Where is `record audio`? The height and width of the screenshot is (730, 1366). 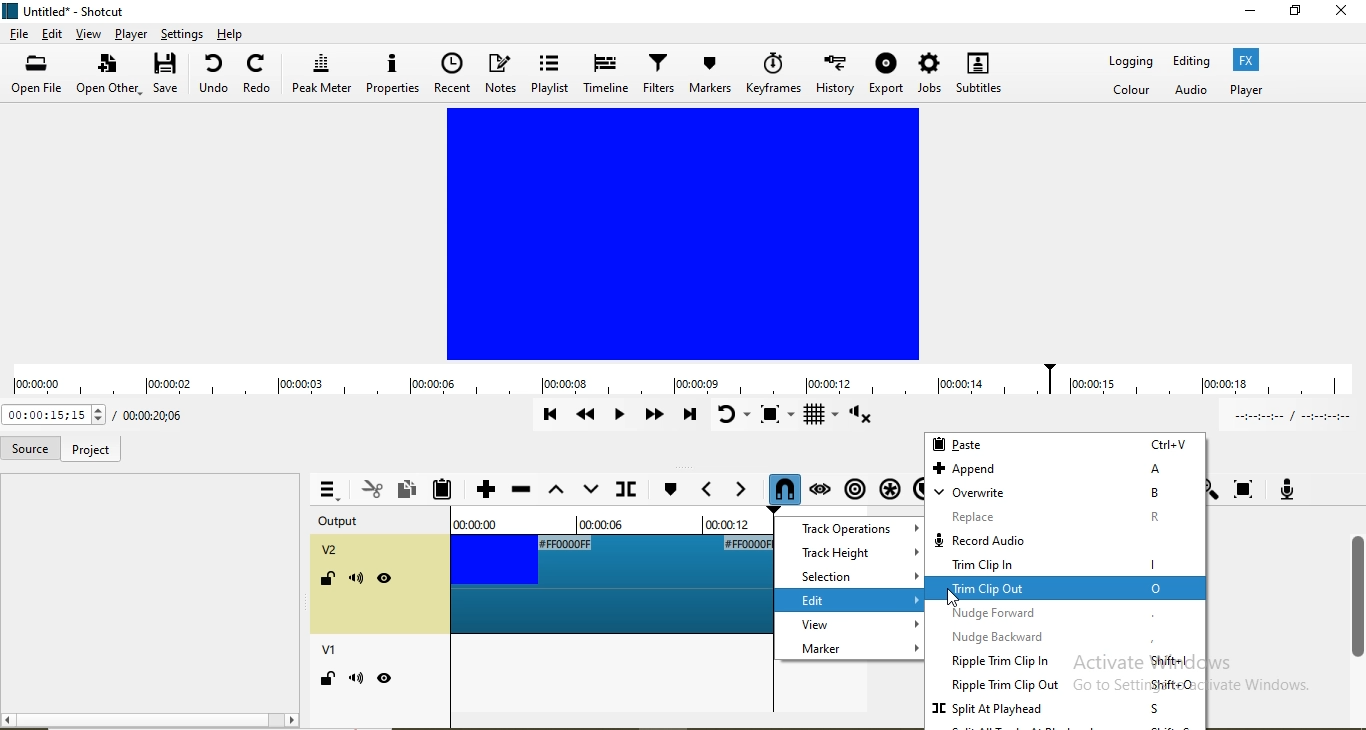
record audio is located at coordinates (1064, 544).